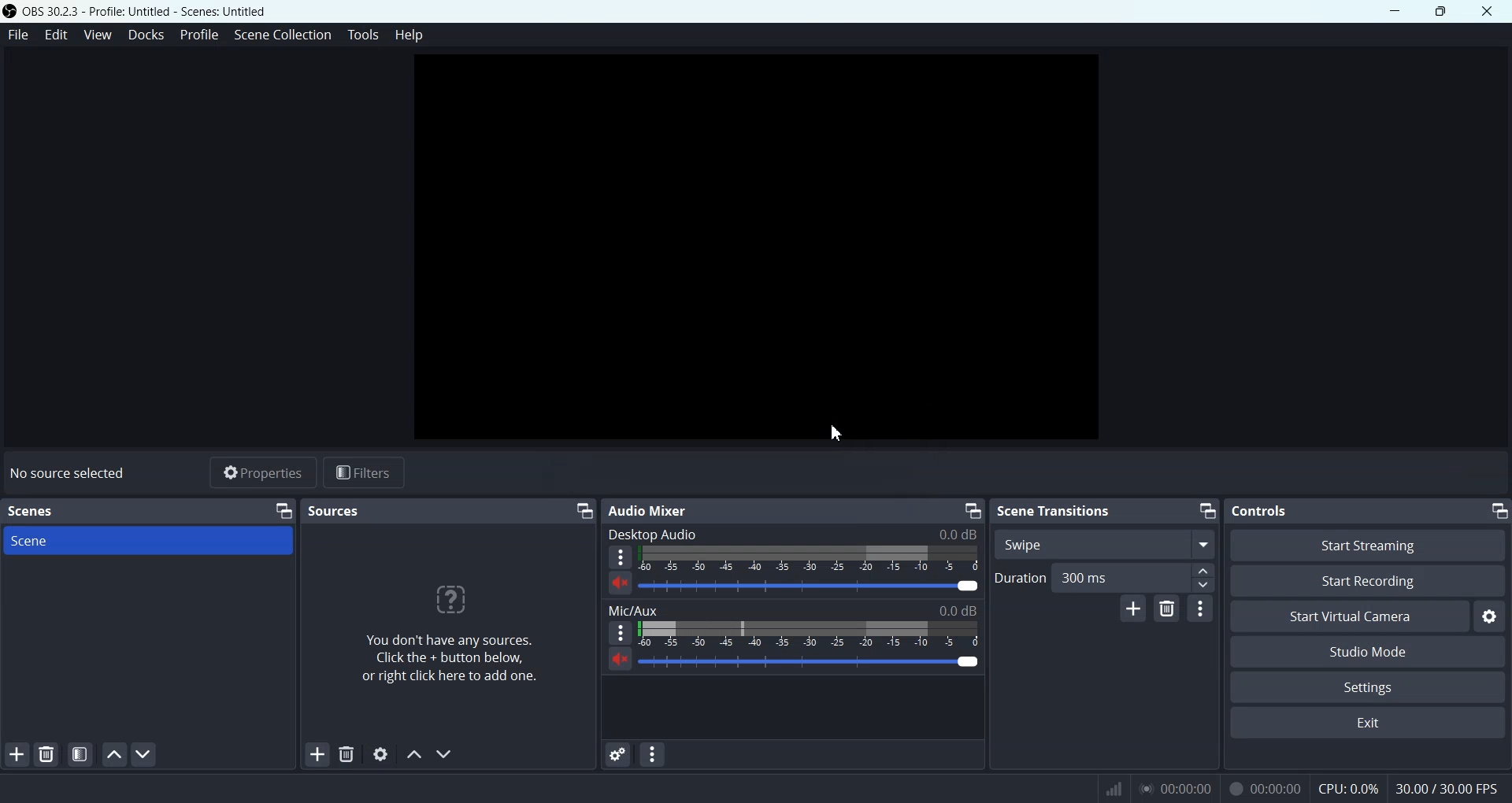 This screenshot has height=803, width=1512. Describe the element at coordinates (444, 753) in the screenshot. I see `Move source down` at that location.